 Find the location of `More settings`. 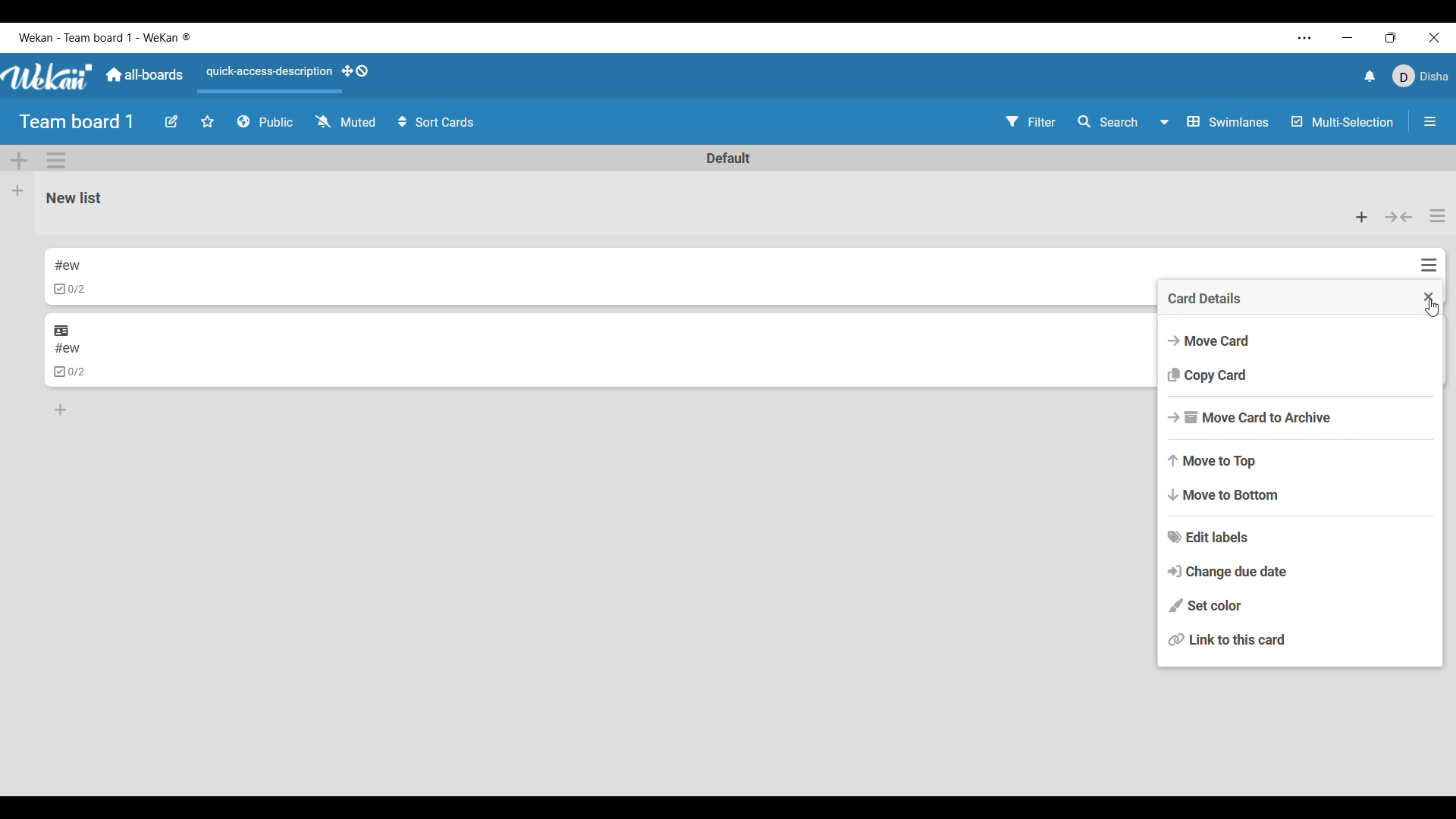

More settings is located at coordinates (1305, 39).